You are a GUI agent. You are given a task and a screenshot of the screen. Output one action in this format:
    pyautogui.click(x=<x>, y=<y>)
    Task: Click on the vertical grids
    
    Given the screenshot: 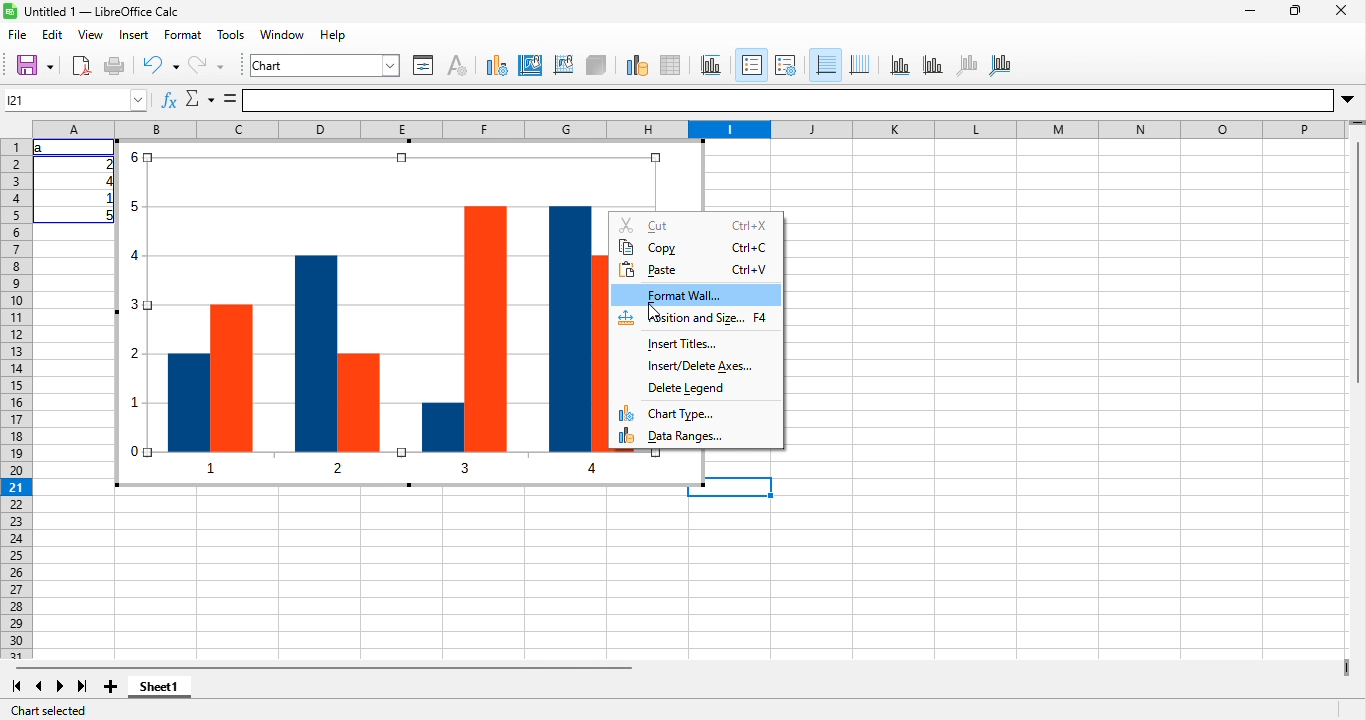 What is the action you would take?
    pyautogui.click(x=860, y=66)
    